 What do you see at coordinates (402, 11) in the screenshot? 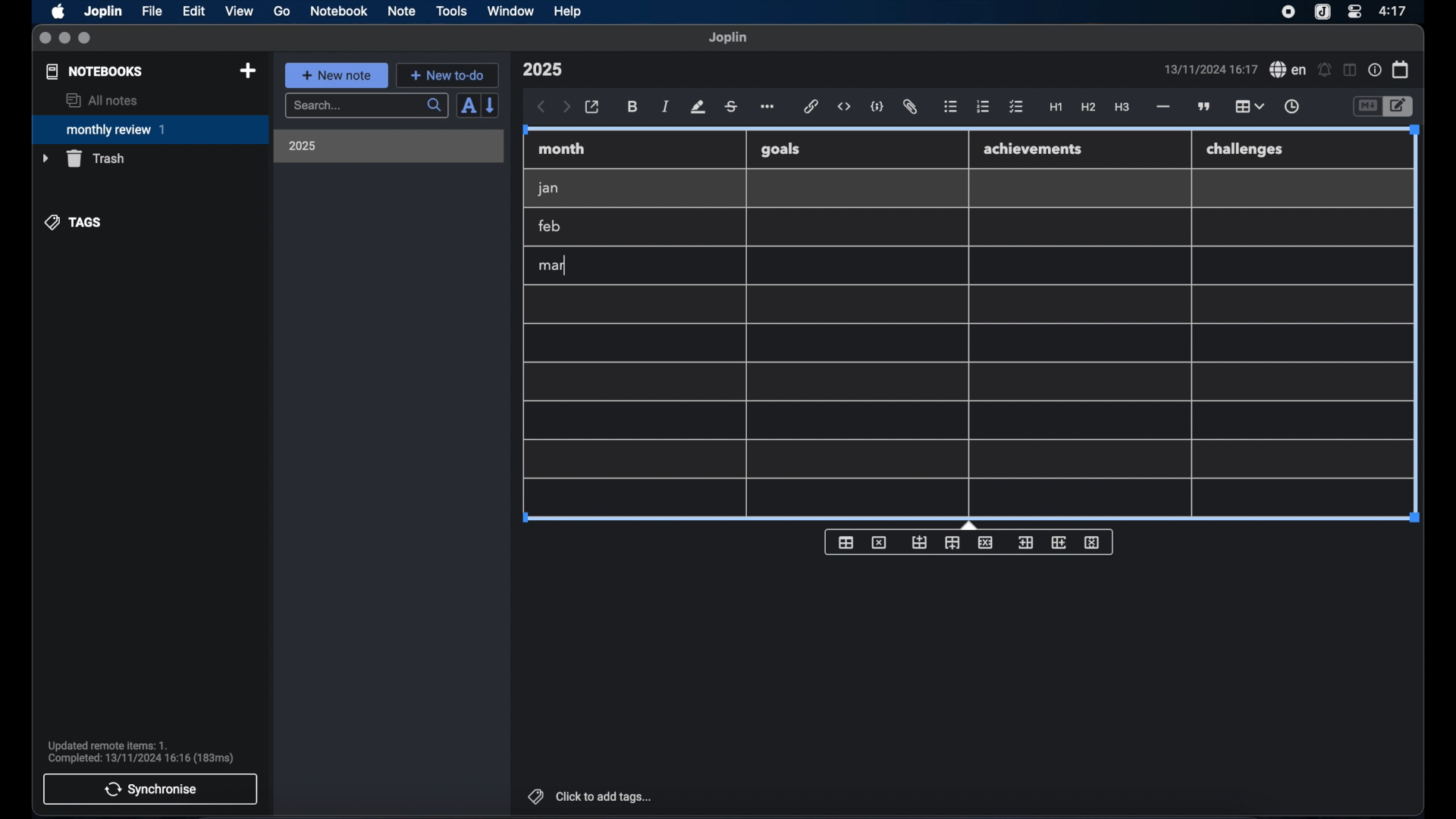
I see `note` at bounding box center [402, 11].